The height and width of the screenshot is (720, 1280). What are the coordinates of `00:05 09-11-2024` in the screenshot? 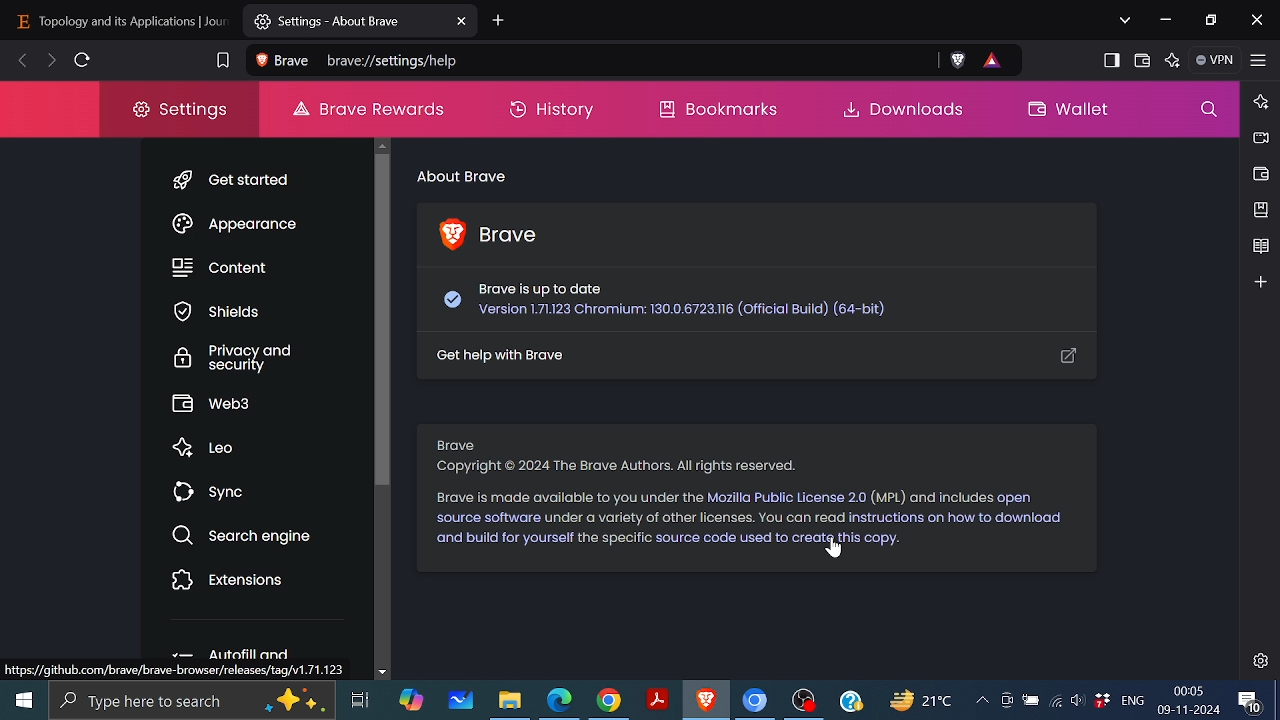 It's located at (1190, 701).